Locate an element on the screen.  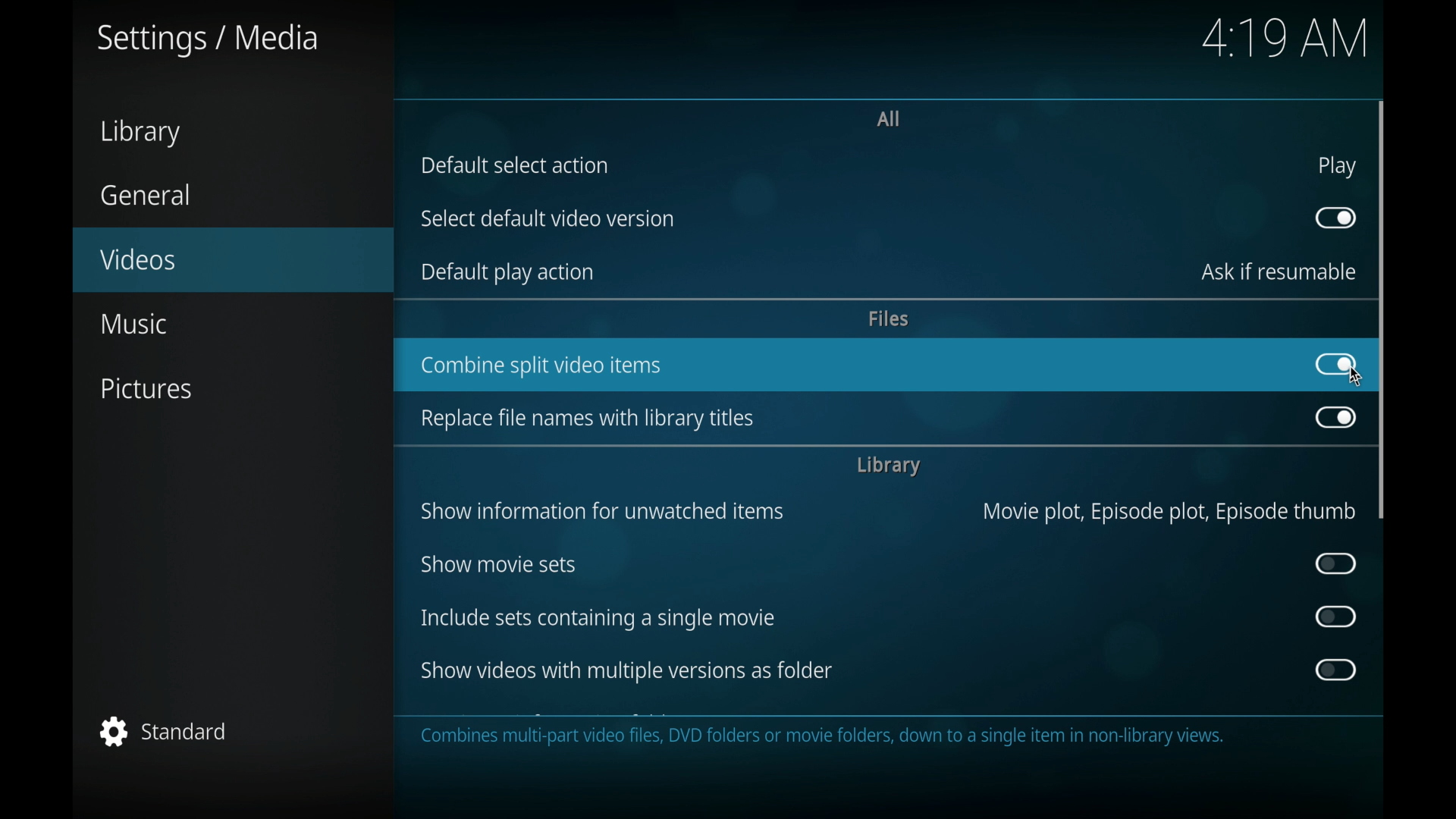
pictures is located at coordinates (145, 388).